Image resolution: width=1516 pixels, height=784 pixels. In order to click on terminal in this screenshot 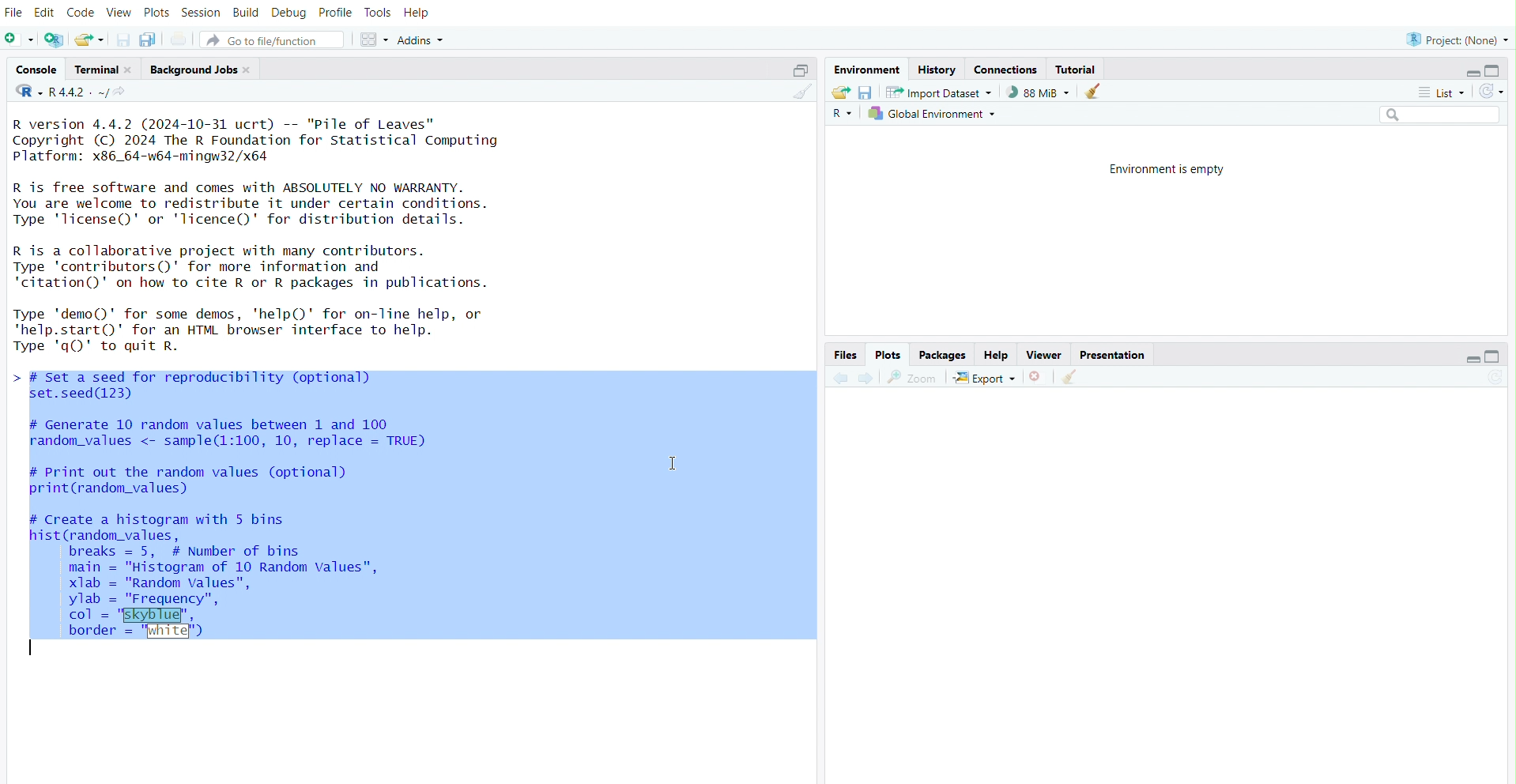, I will do `click(92, 68)`.